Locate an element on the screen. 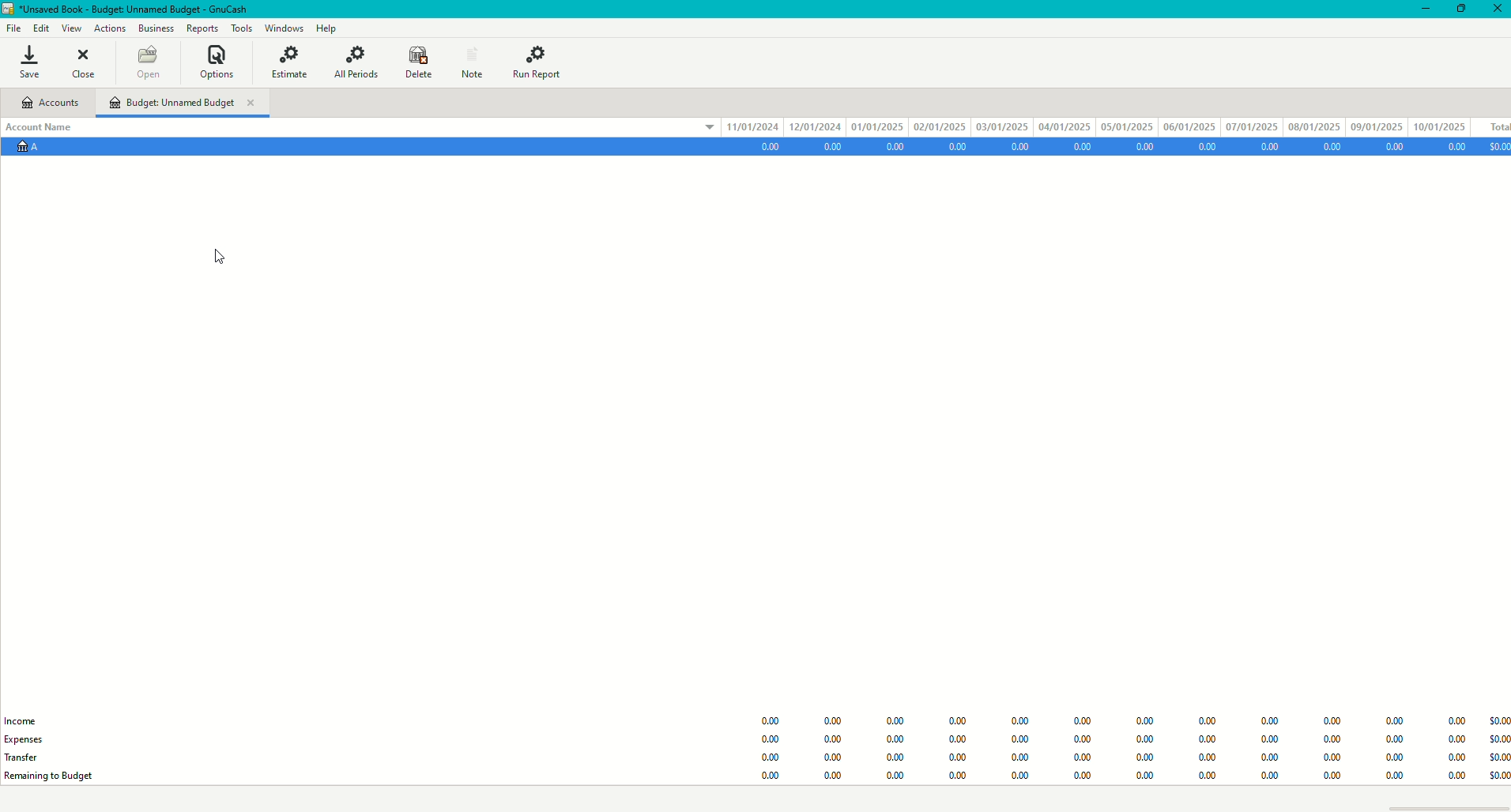 Image resolution: width=1511 pixels, height=812 pixels. drop down menu is located at coordinates (699, 130).